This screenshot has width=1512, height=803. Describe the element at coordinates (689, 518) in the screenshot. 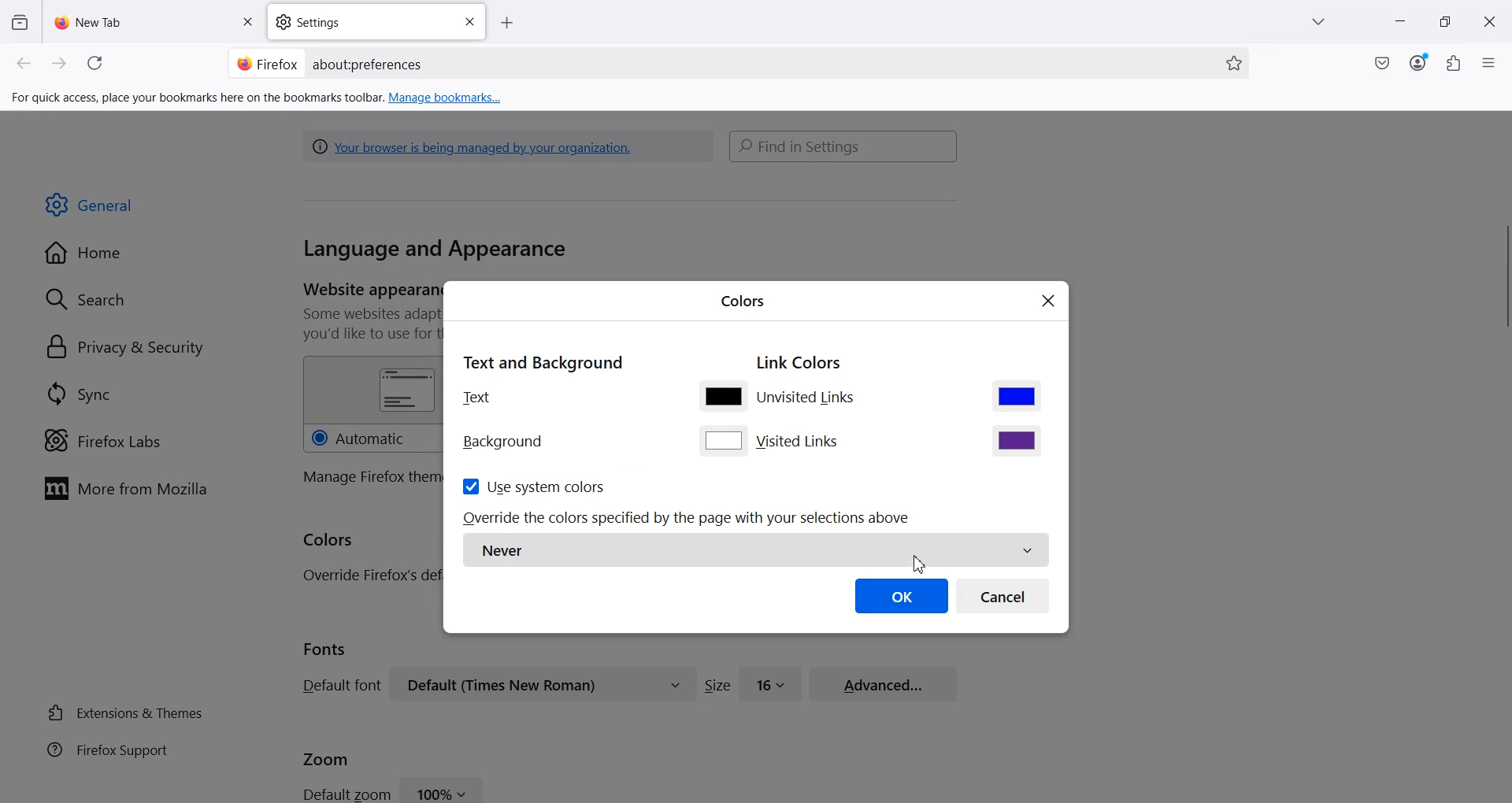

I see `a Override the colors specified by the page with your selections above` at that location.